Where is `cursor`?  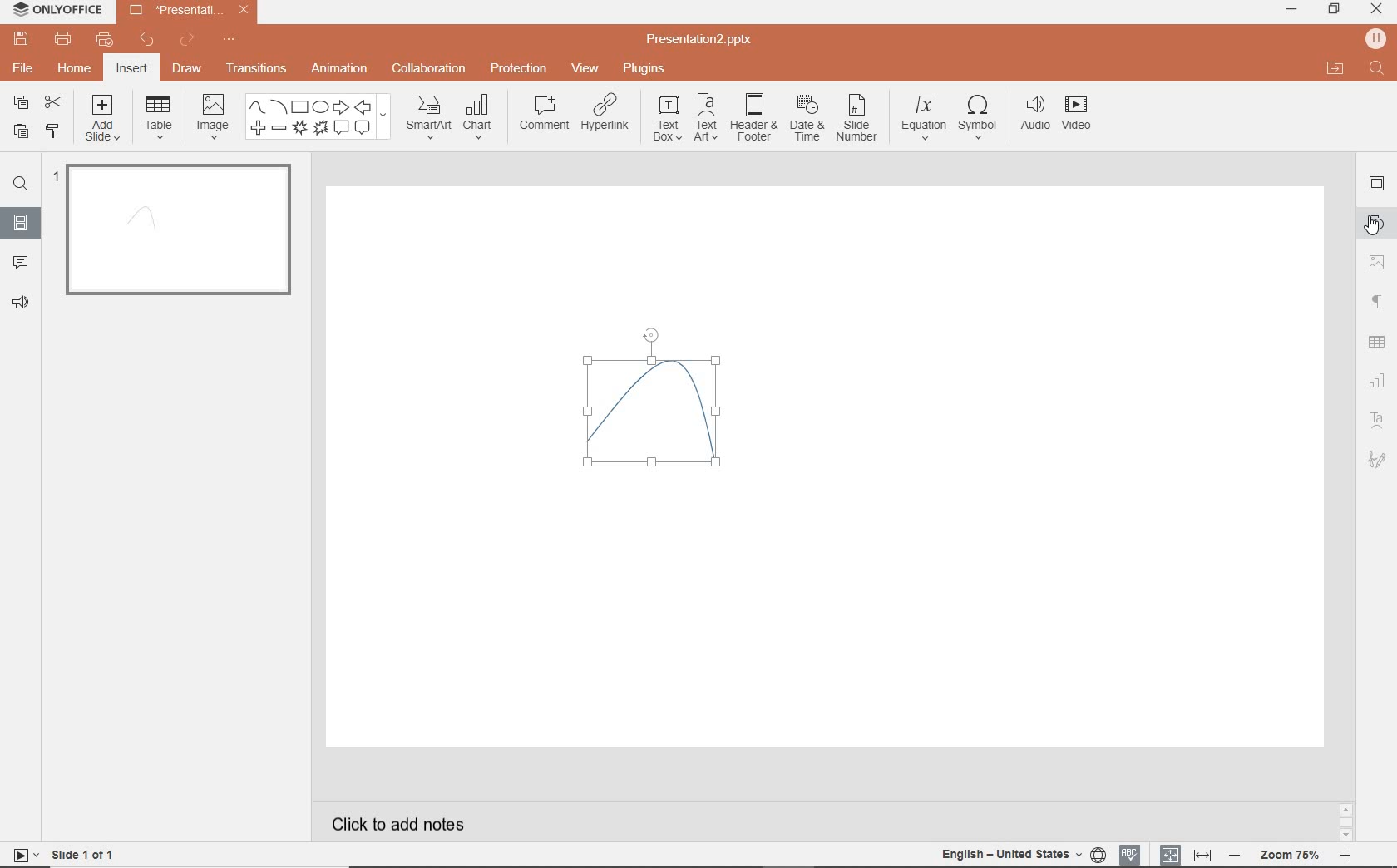 cursor is located at coordinates (1375, 229).